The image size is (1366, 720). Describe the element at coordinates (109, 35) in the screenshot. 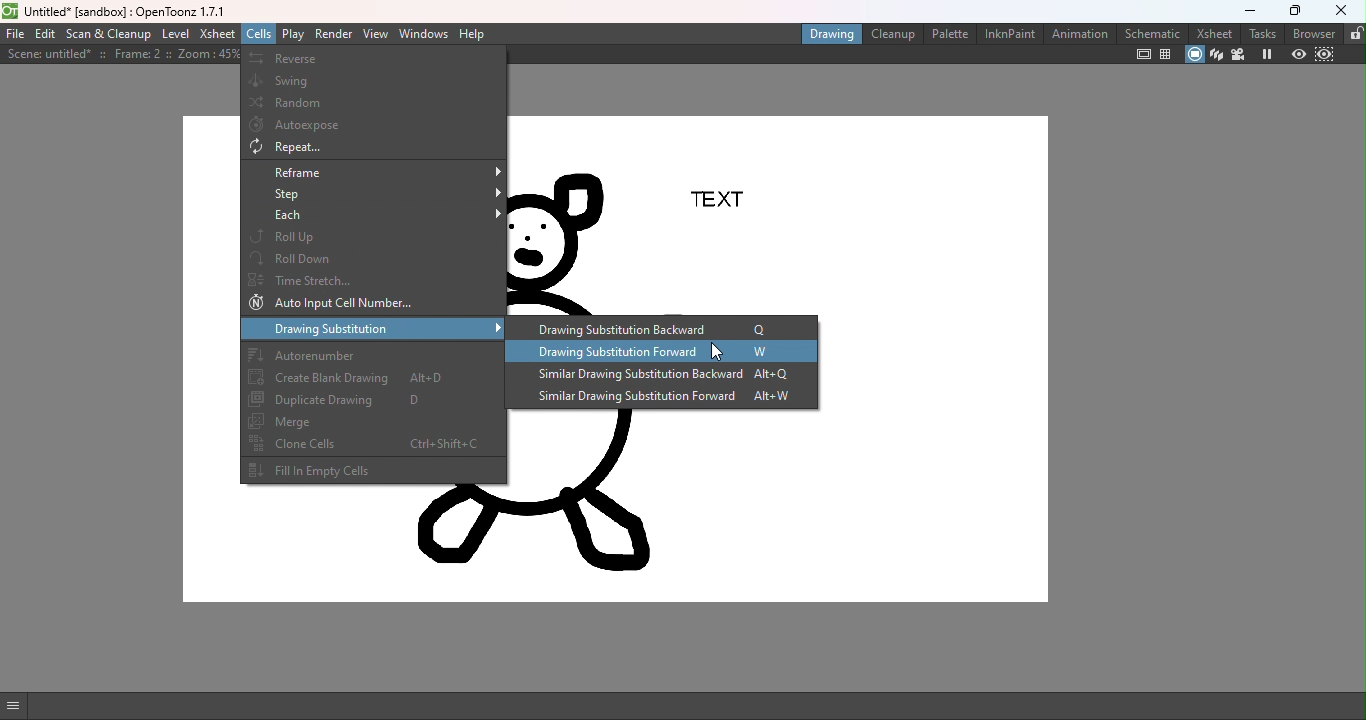

I see `Scan & Cleanup` at that location.